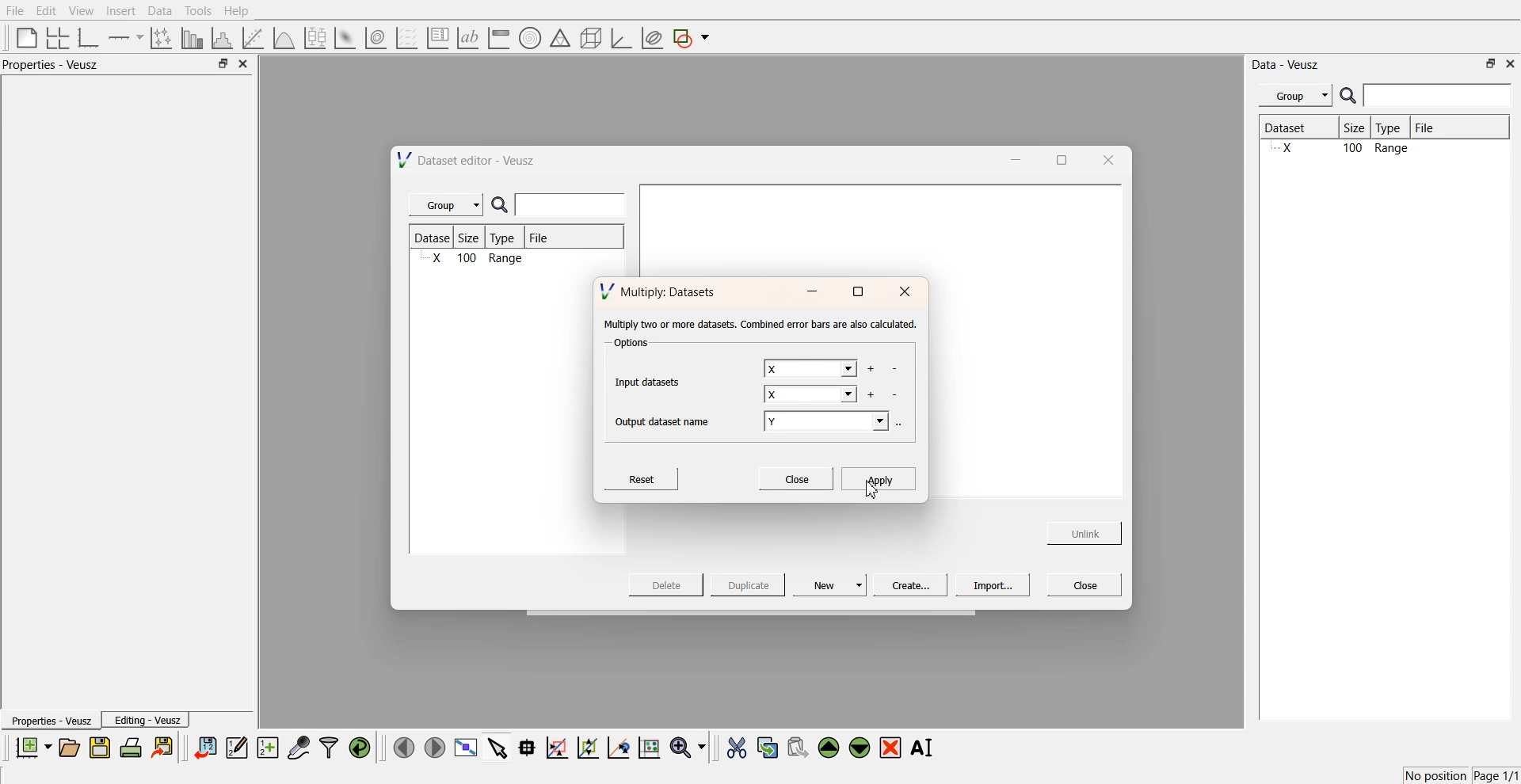  What do you see at coordinates (1085, 584) in the screenshot?
I see `Close` at bounding box center [1085, 584].